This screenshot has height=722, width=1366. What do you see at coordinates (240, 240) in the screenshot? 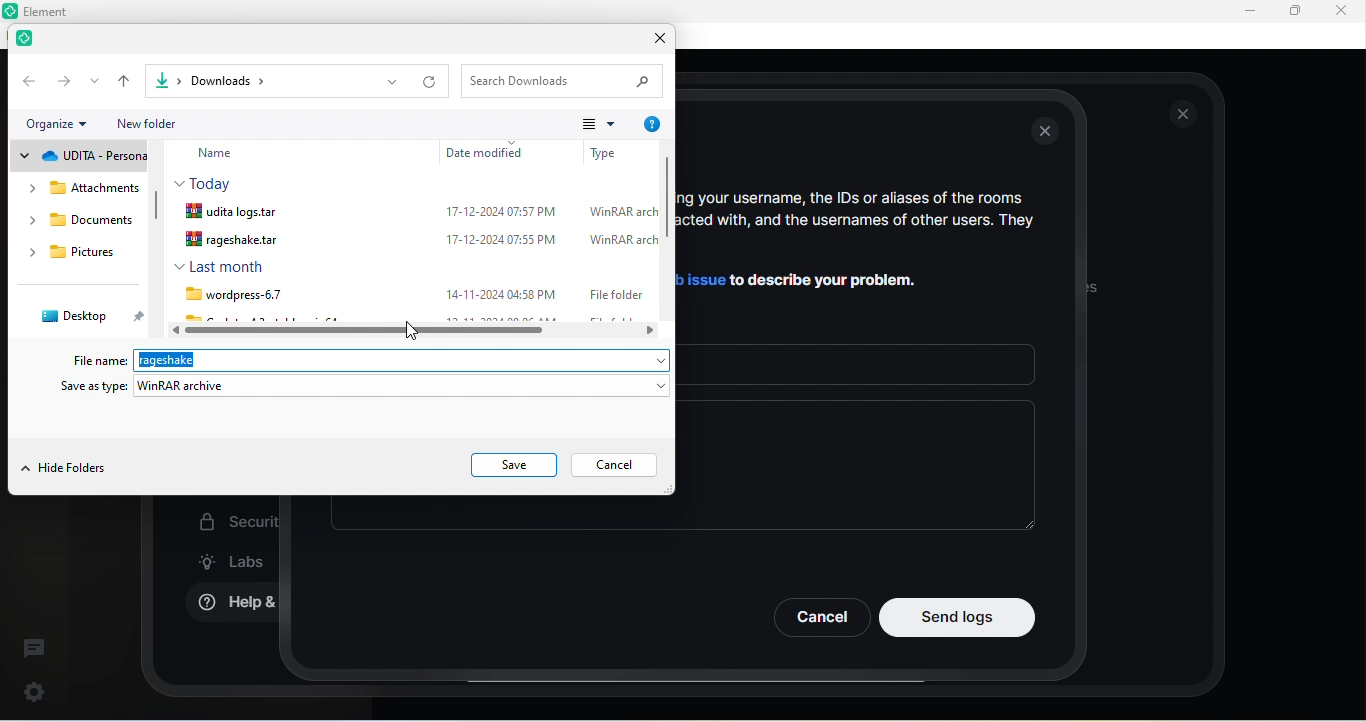
I see `rageshake.tar` at bounding box center [240, 240].